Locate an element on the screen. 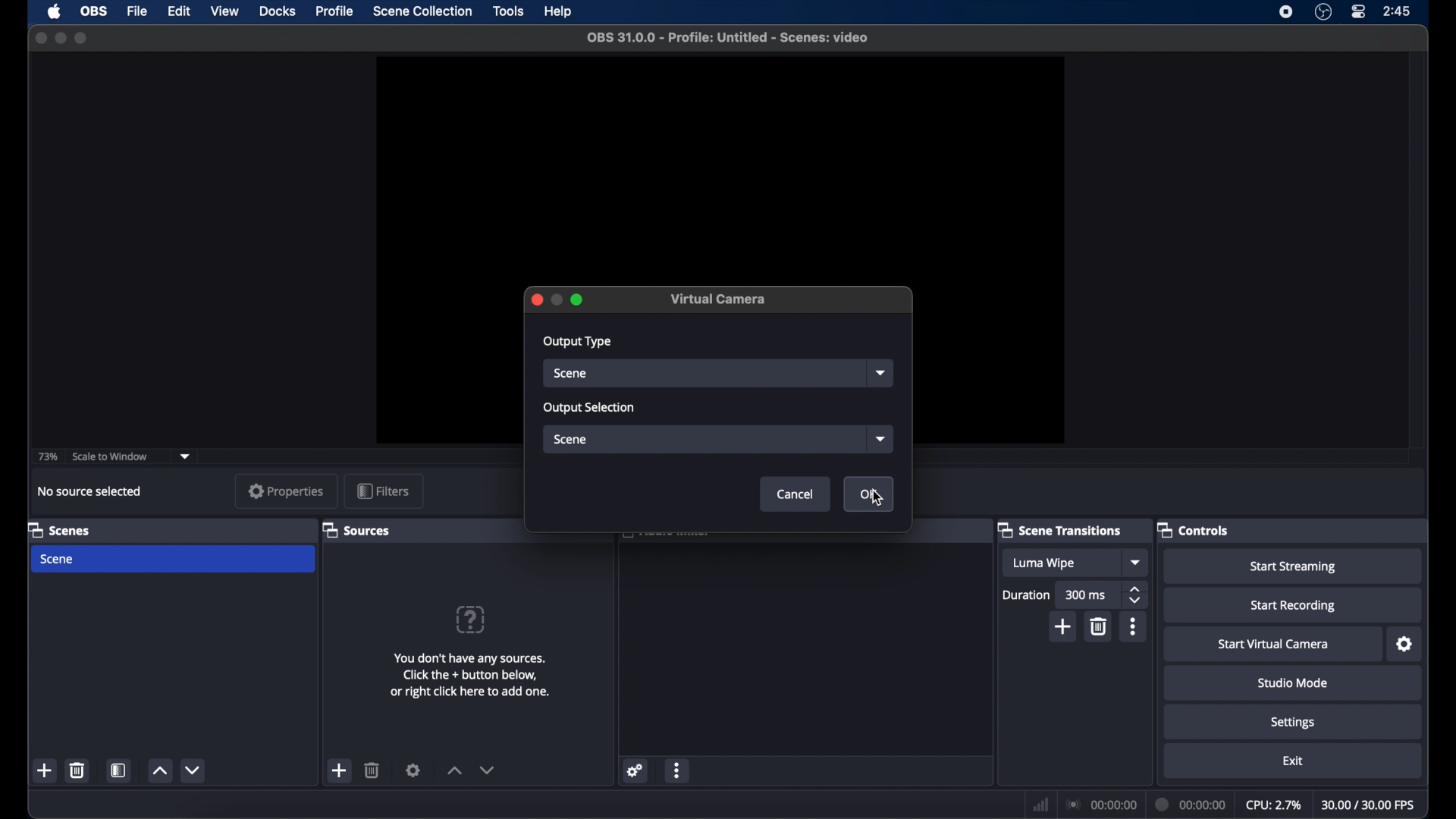 The image size is (1456, 819). inactive minimize icon is located at coordinates (556, 300).